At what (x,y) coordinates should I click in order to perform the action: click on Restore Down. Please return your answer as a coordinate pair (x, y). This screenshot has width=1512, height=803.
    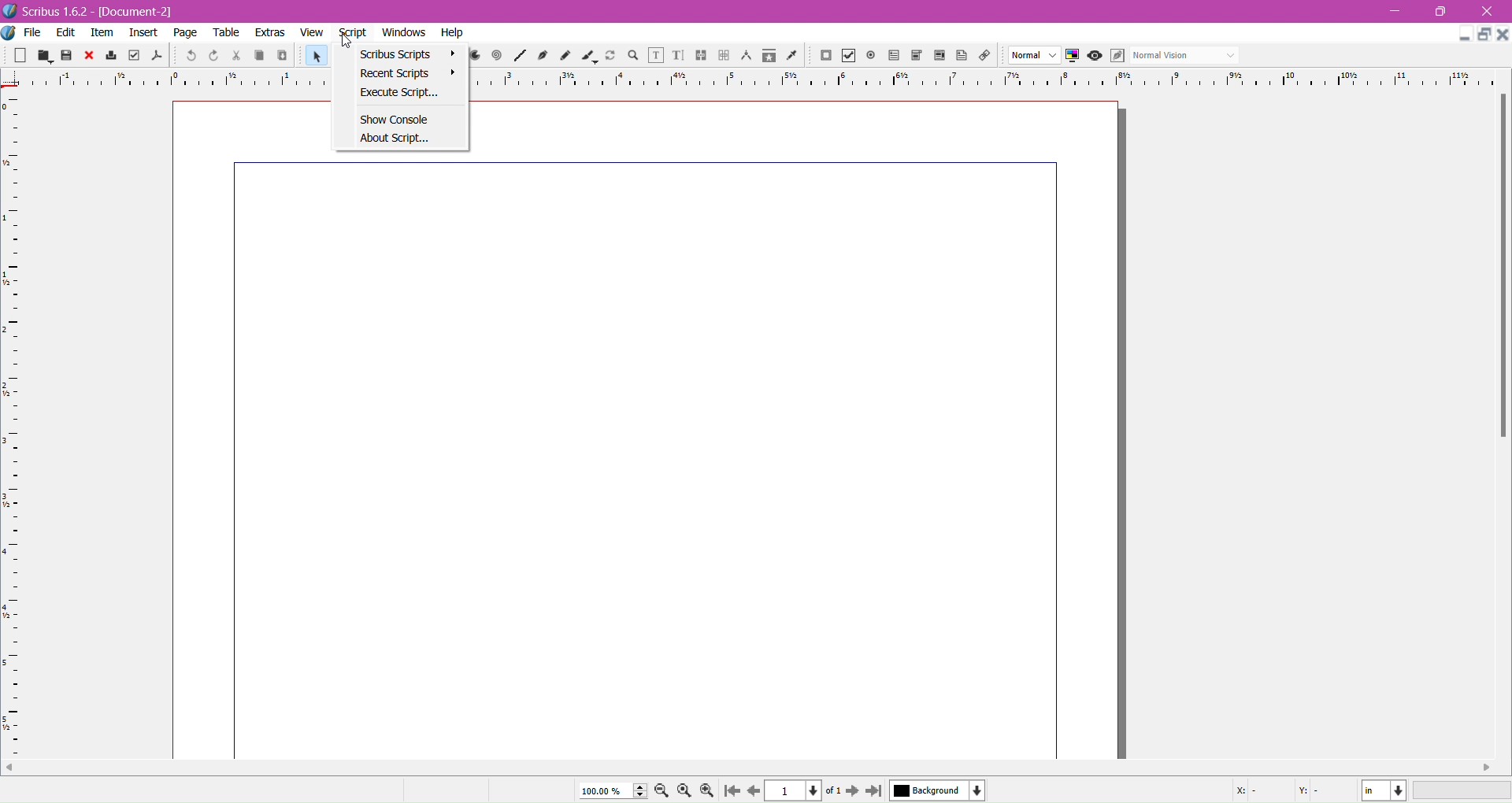
    Looking at the image, I should click on (1443, 12).